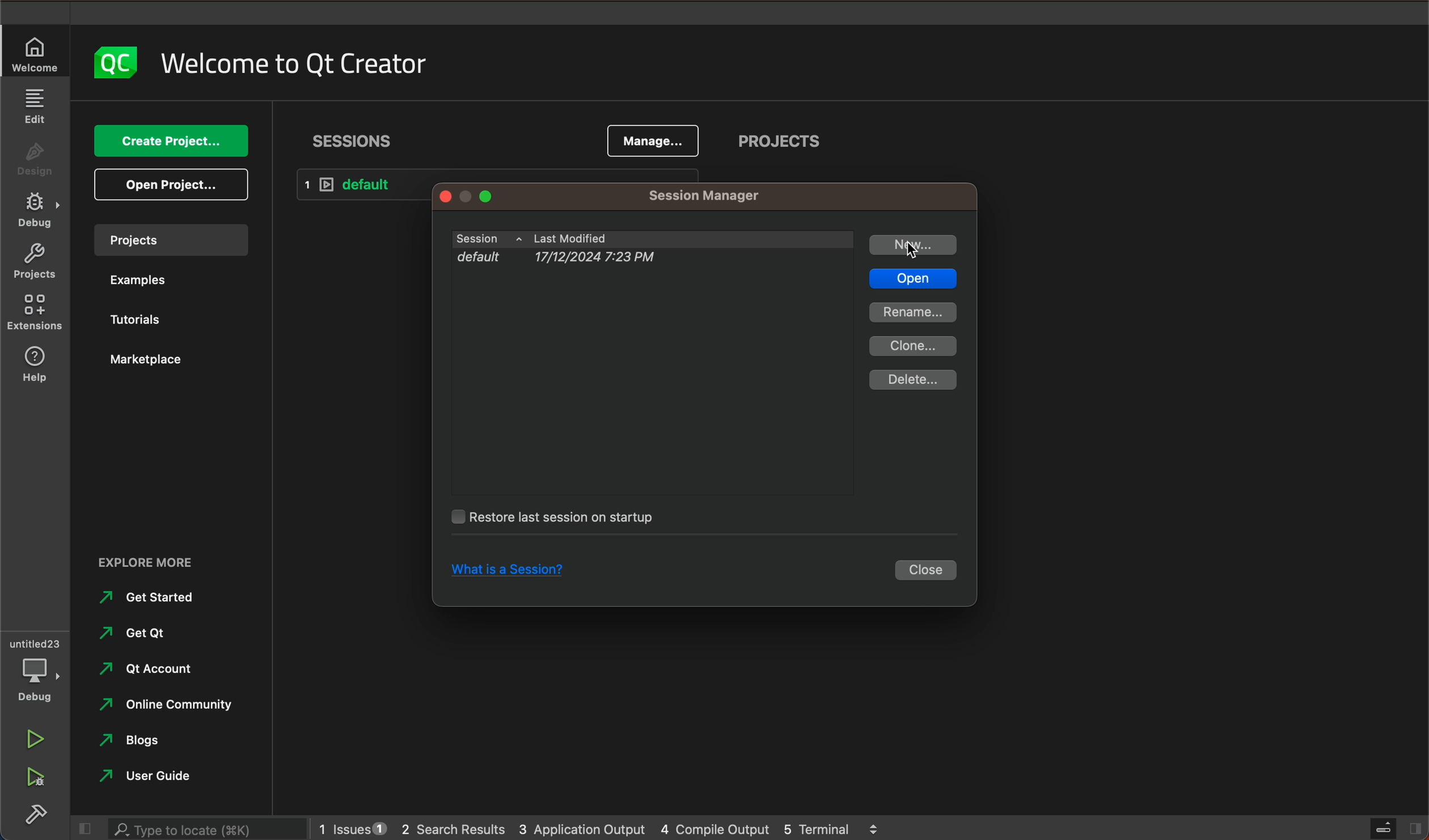 This screenshot has width=1429, height=840. I want to click on window controls, so click(483, 196).